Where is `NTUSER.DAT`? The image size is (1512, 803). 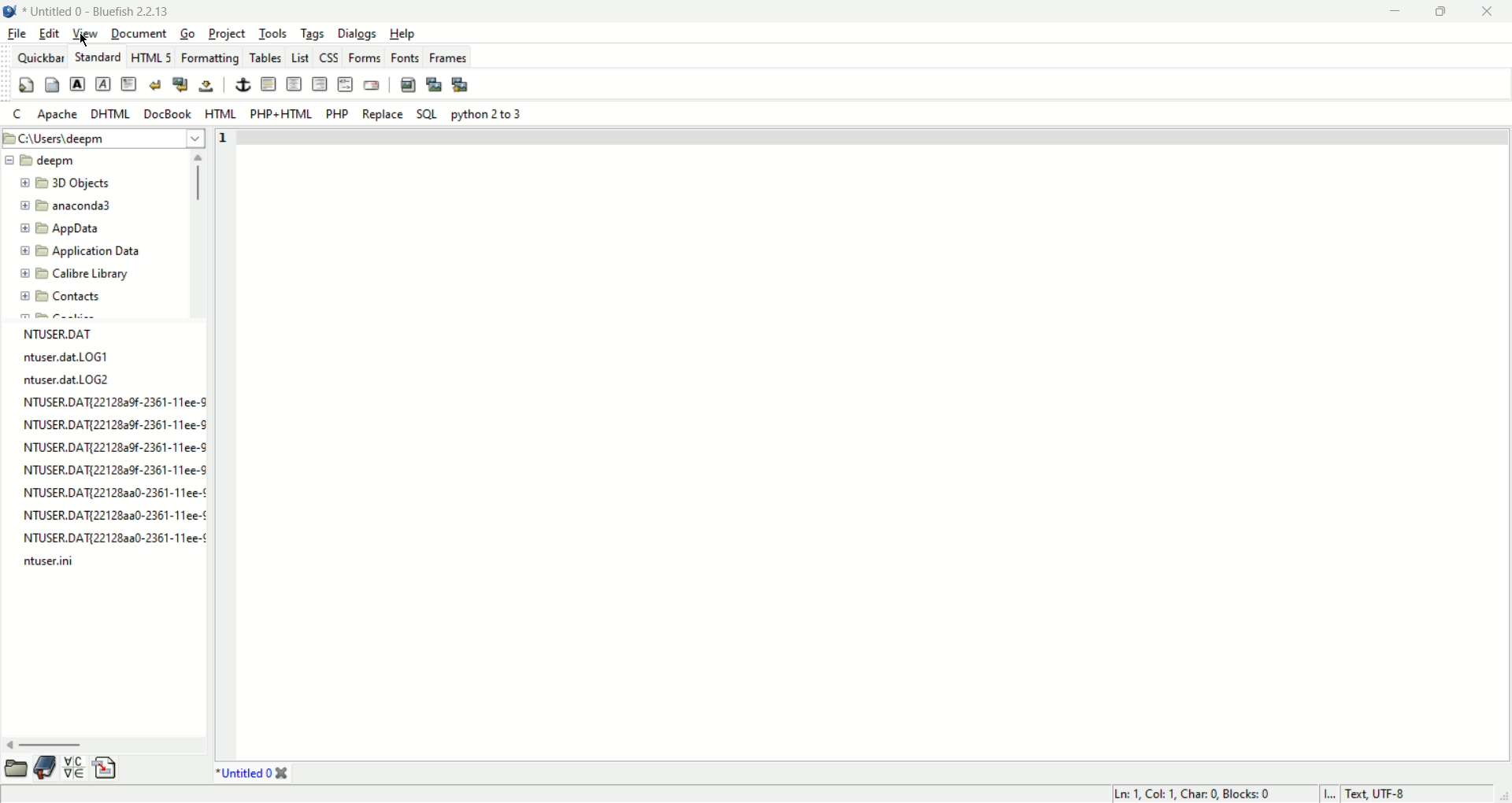
NTUSER.DAT is located at coordinates (59, 333).